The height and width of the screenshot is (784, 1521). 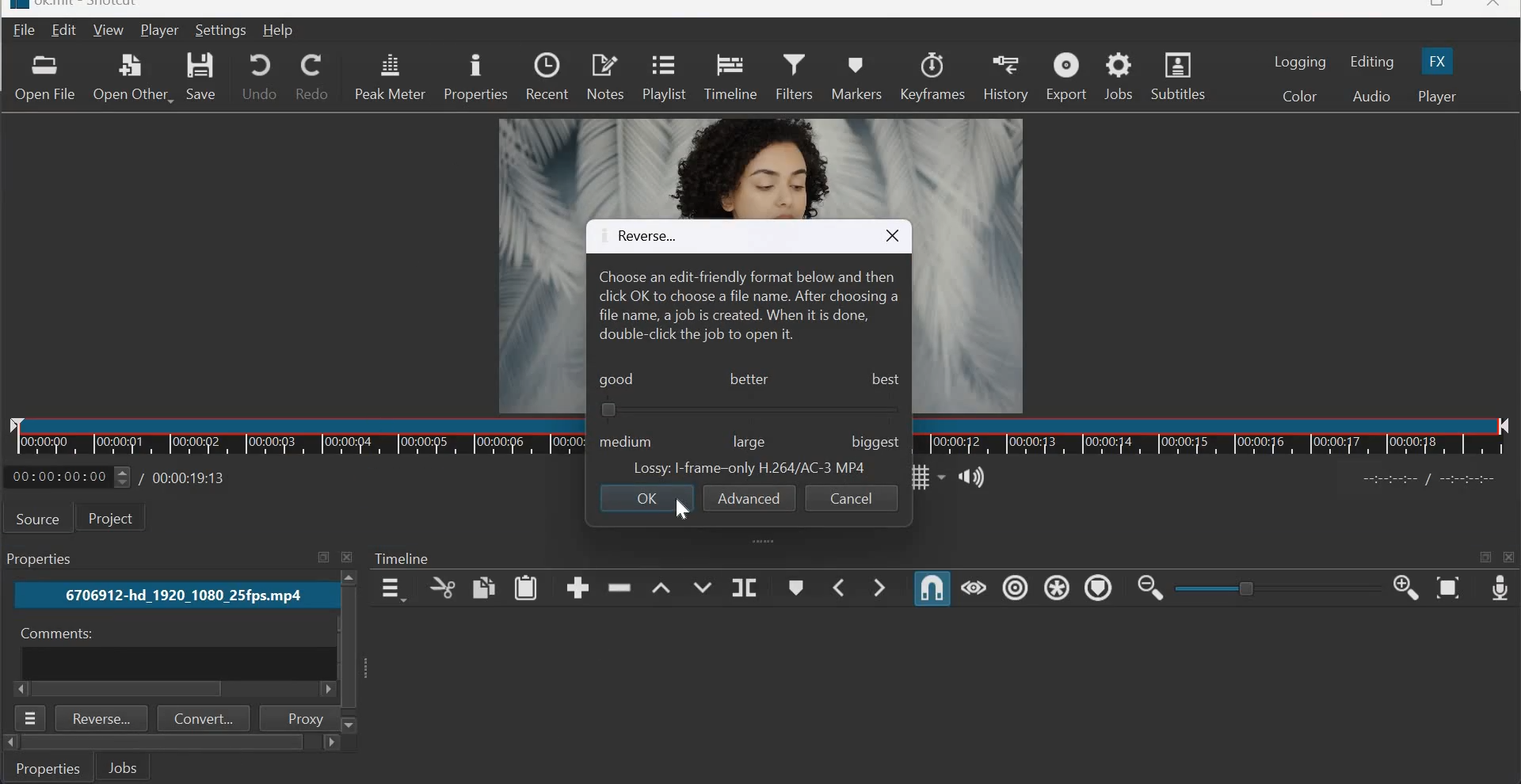 I want to click on biggest, so click(x=870, y=441).